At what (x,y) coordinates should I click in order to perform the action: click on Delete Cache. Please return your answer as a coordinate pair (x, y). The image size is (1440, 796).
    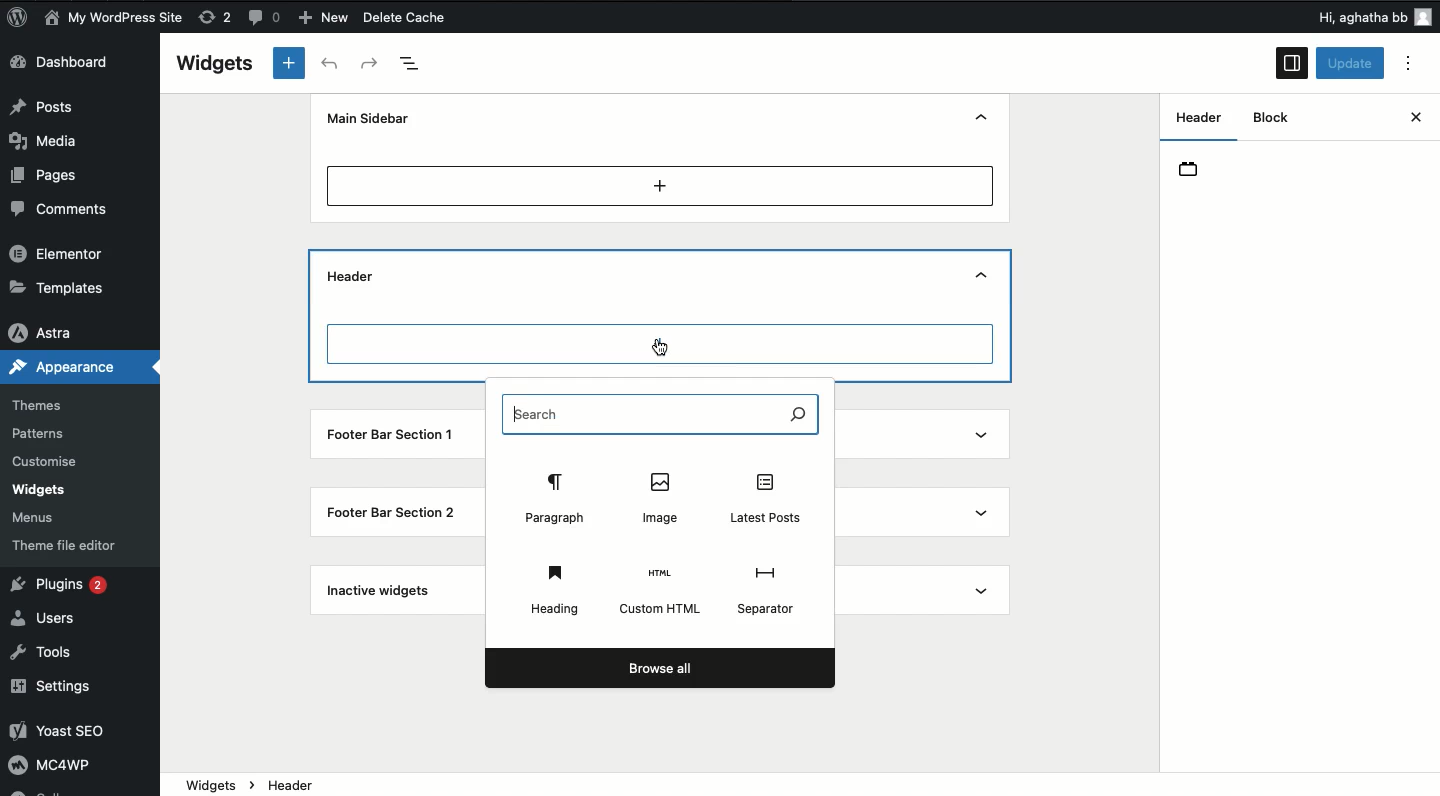
    Looking at the image, I should click on (441, 19).